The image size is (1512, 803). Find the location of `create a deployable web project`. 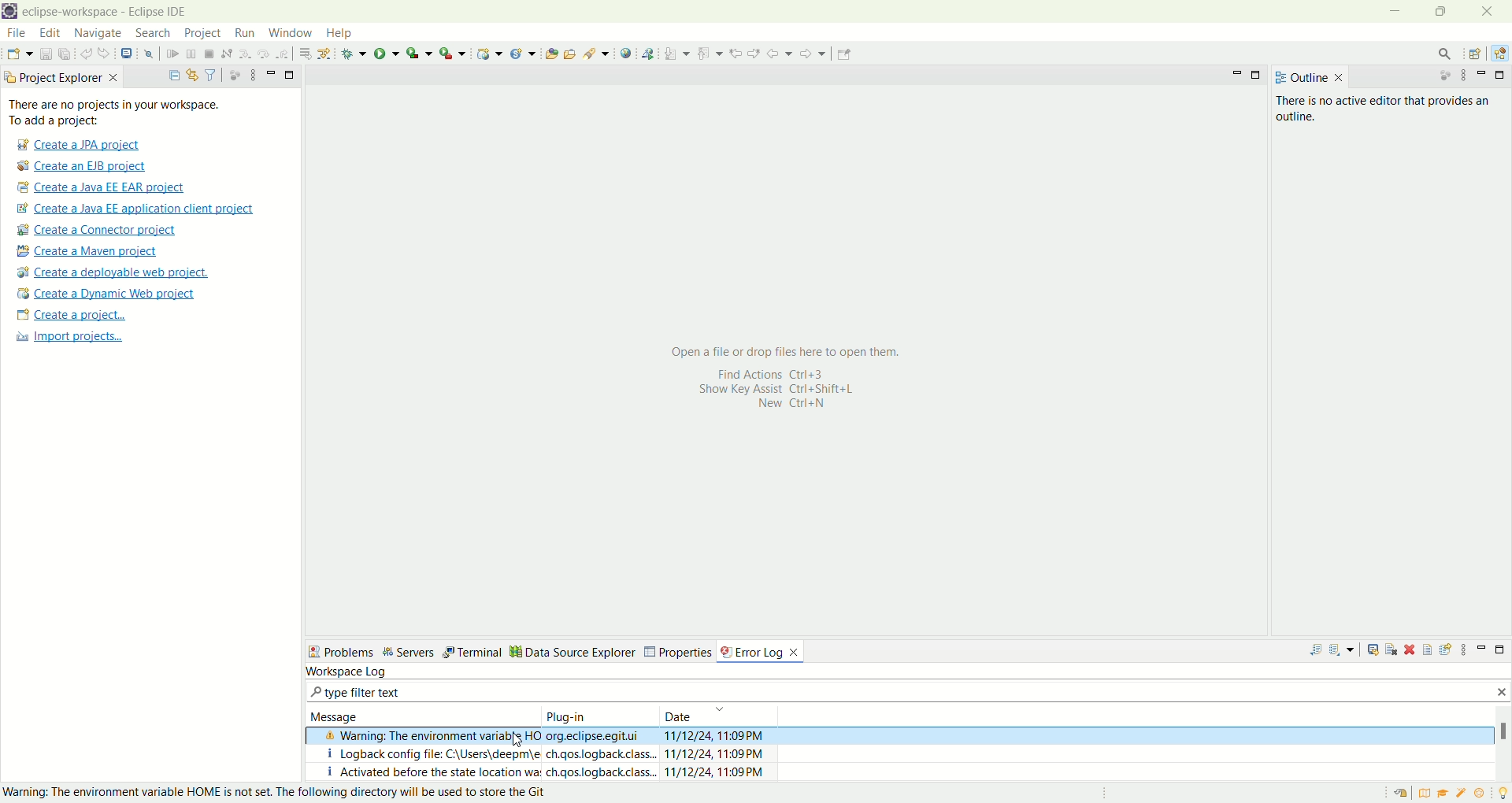

create a deployable web project is located at coordinates (113, 272).